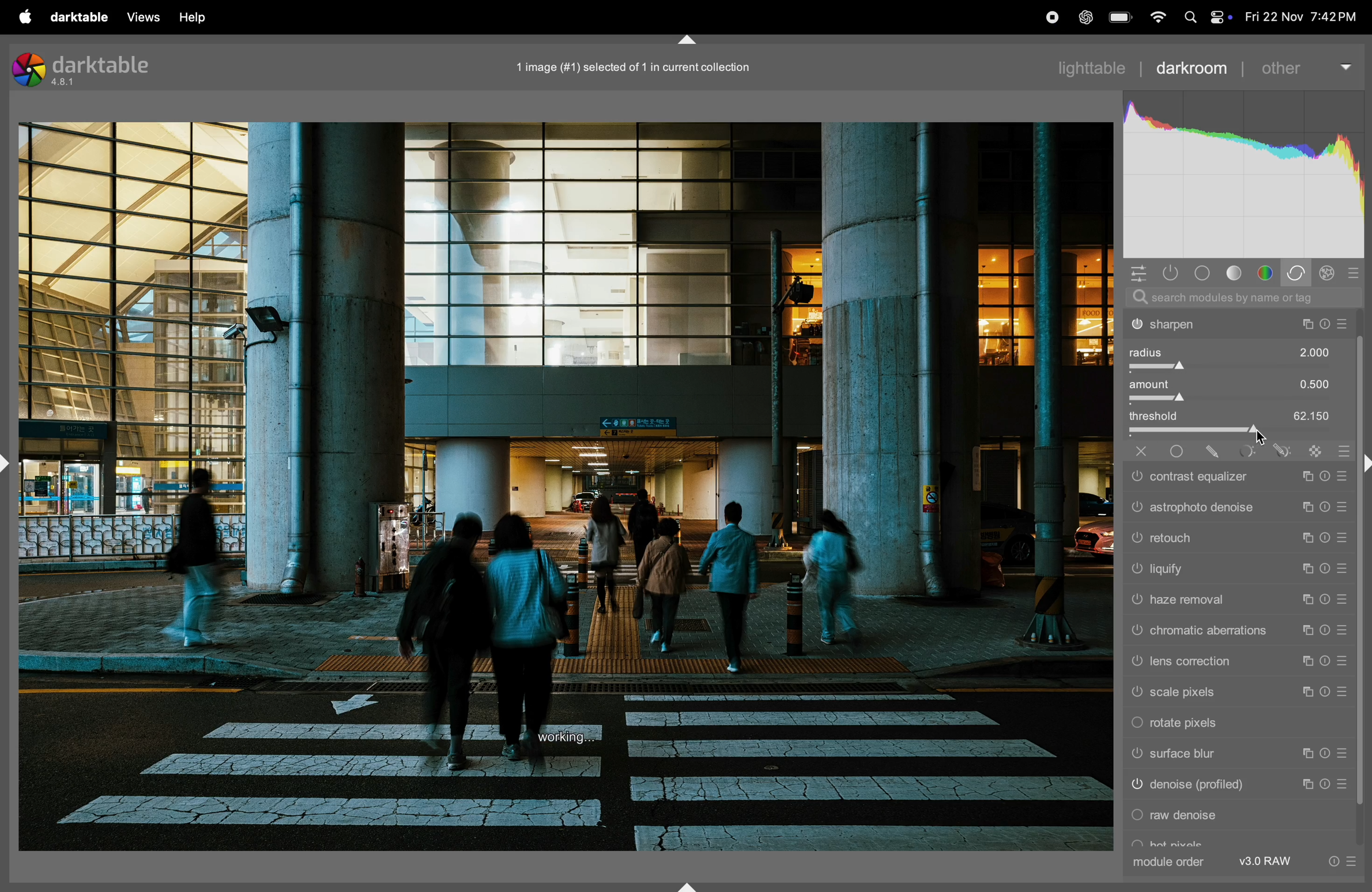 The image size is (1372, 892). Describe the element at coordinates (1007, 17) in the screenshot. I see `record` at that location.